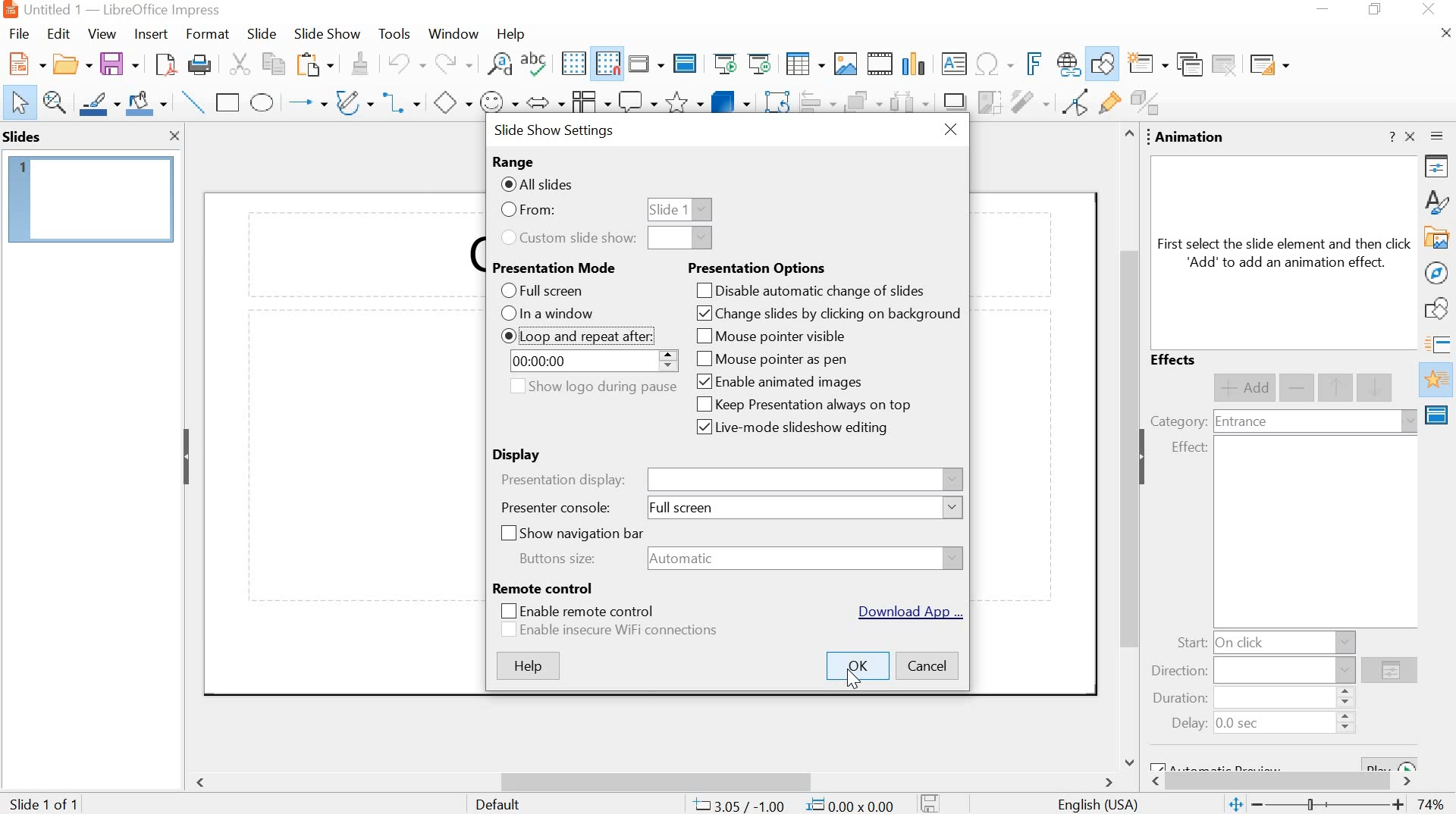 The height and width of the screenshot is (814, 1456). Describe the element at coordinates (1389, 672) in the screenshot. I see `options` at that location.